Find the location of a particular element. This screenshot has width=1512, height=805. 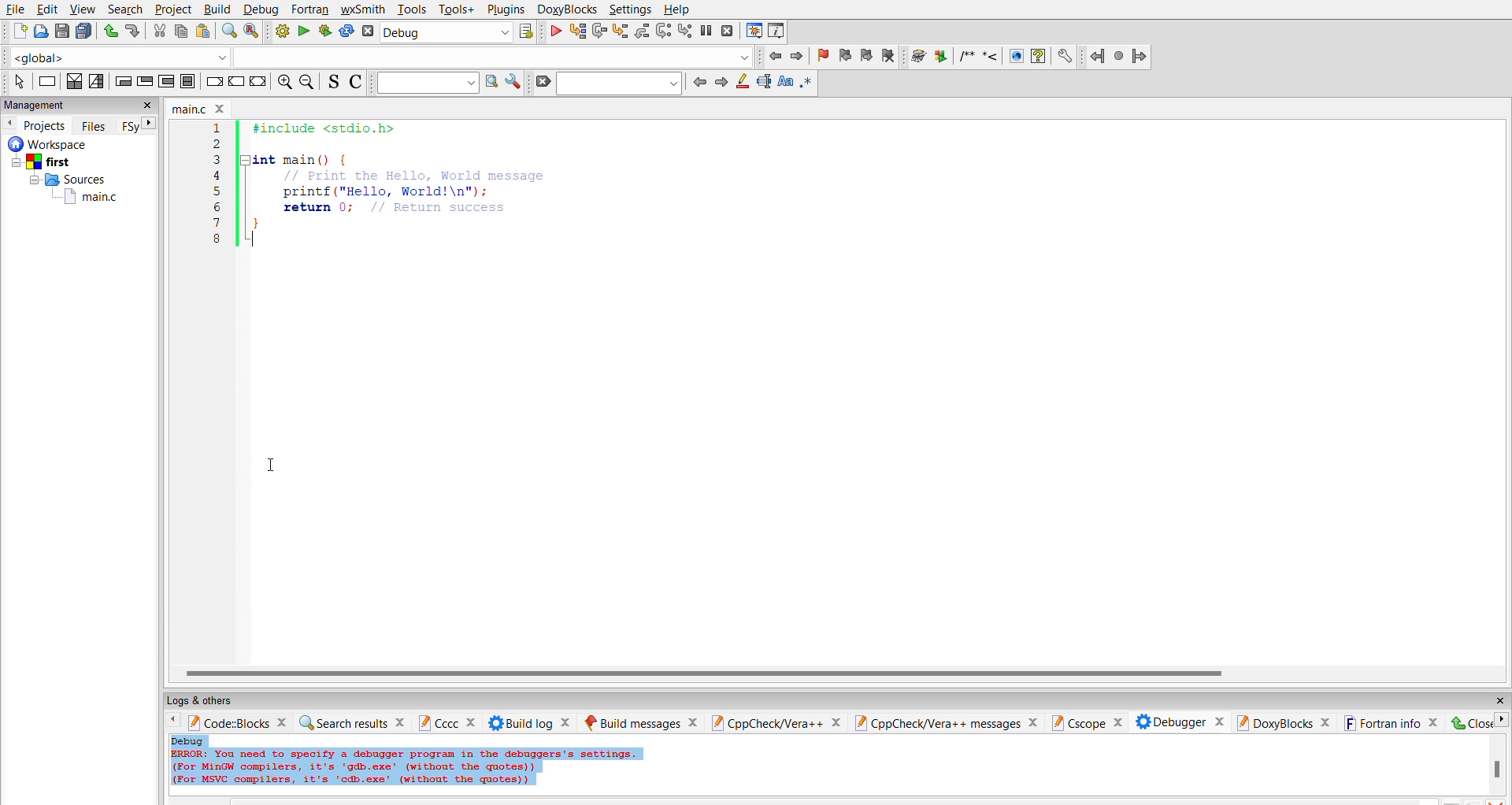

tools+ is located at coordinates (454, 9).